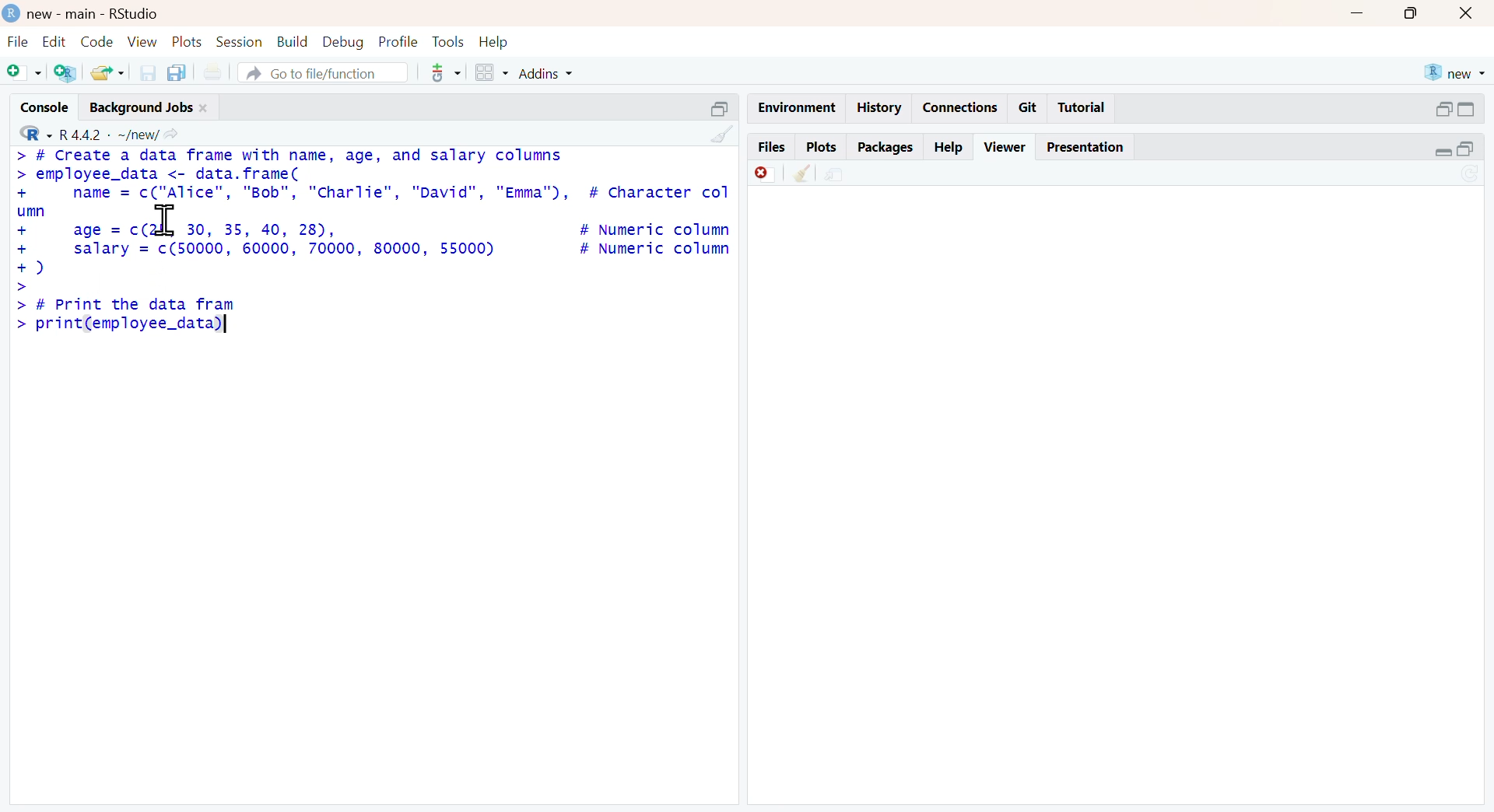  I want to click on maximize window, so click(1417, 16).